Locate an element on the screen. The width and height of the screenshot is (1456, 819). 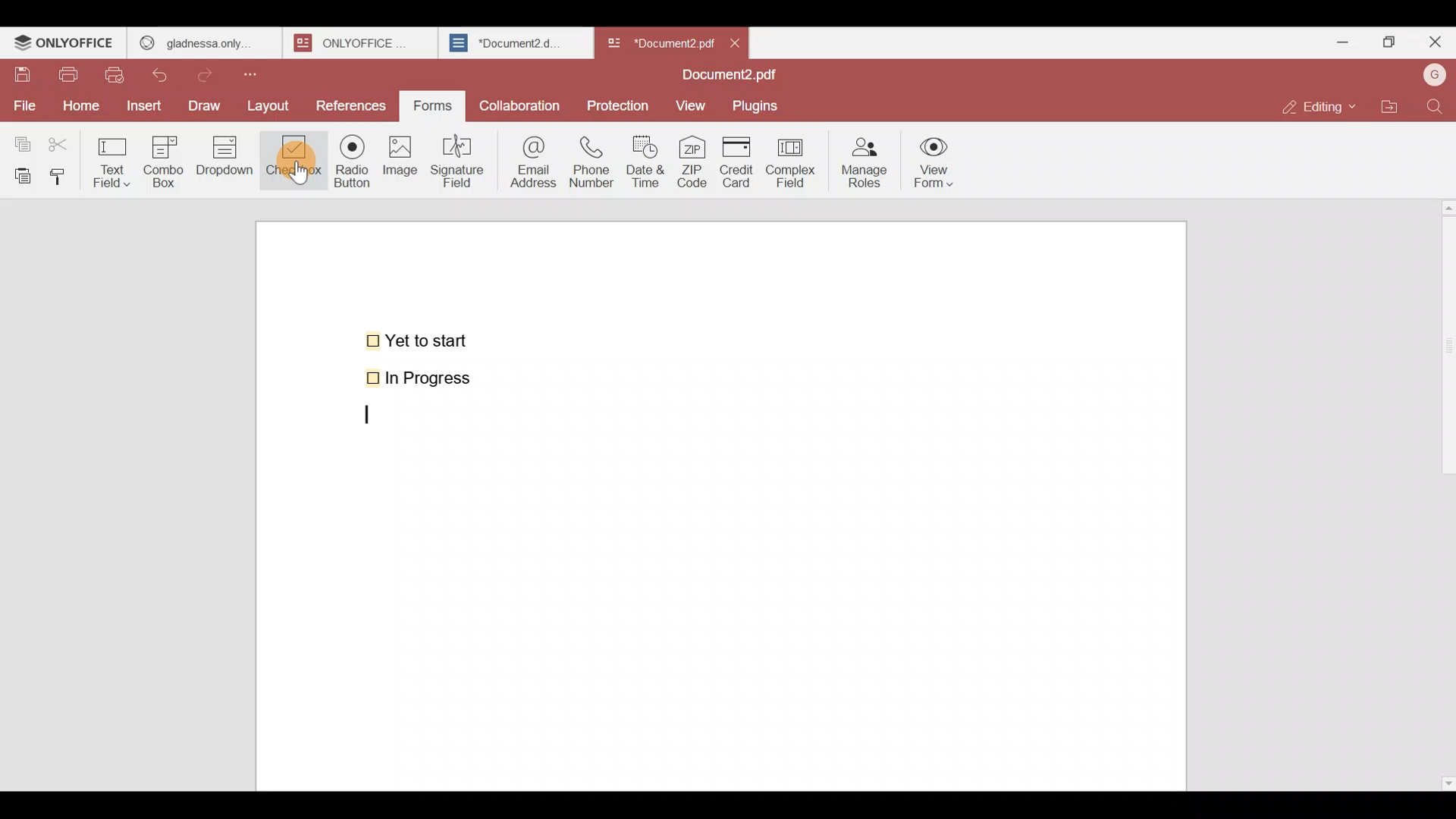
Protection is located at coordinates (619, 105).